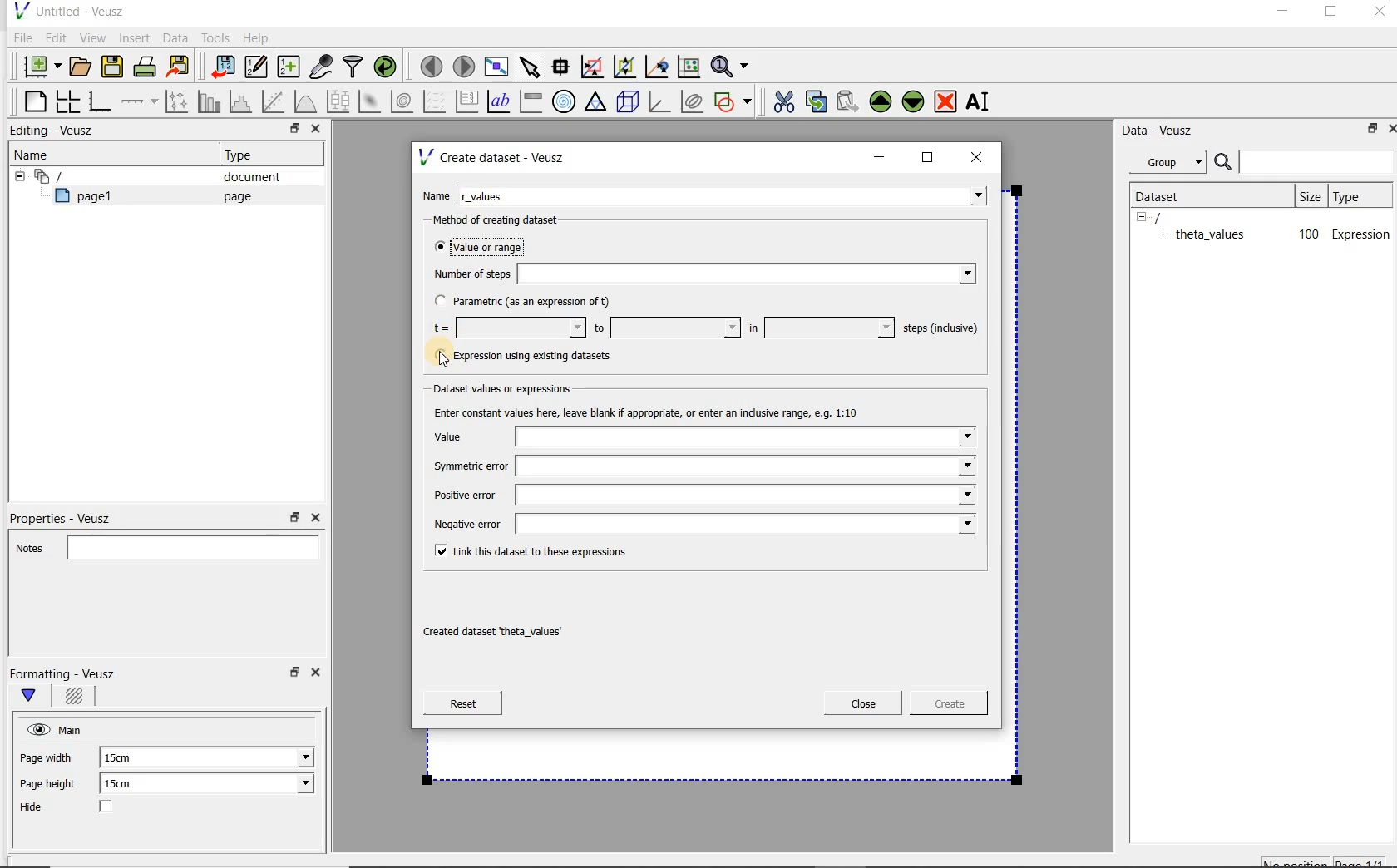 The image size is (1397, 868). What do you see at coordinates (290, 131) in the screenshot?
I see `restore down` at bounding box center [290, 131].